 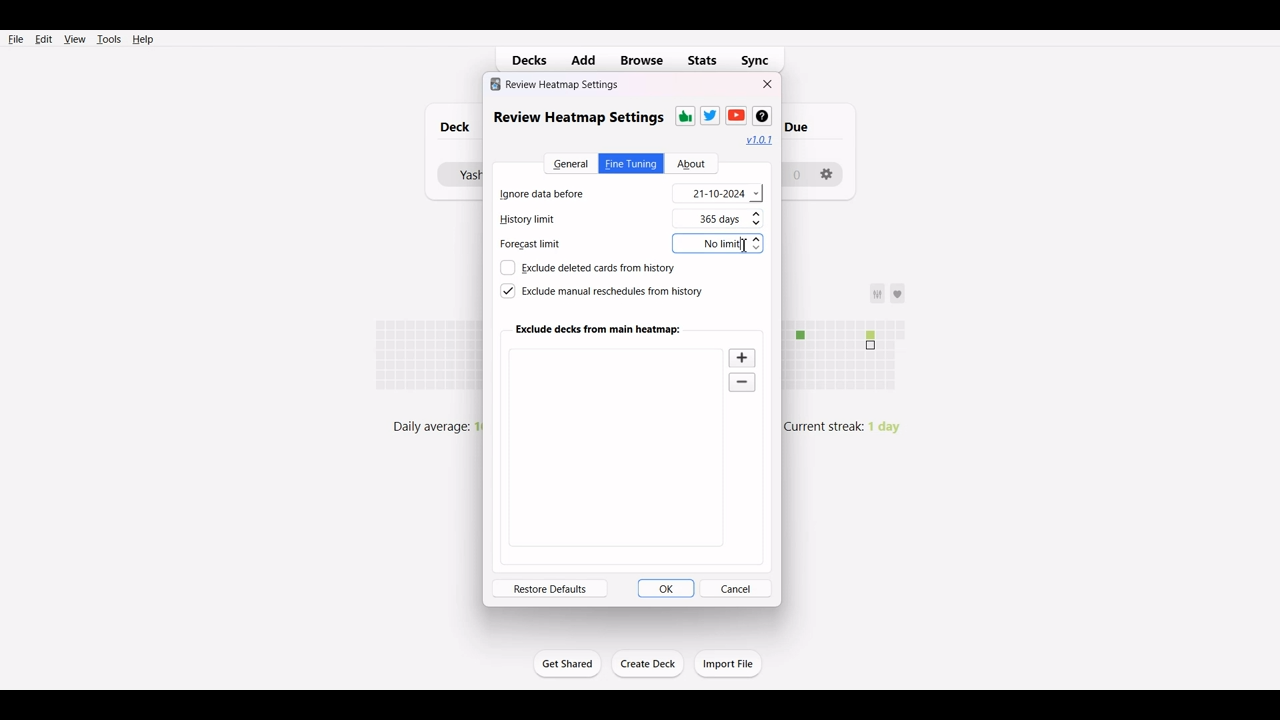 I want to click on review heatmap settings, so click(x=577, y=117).